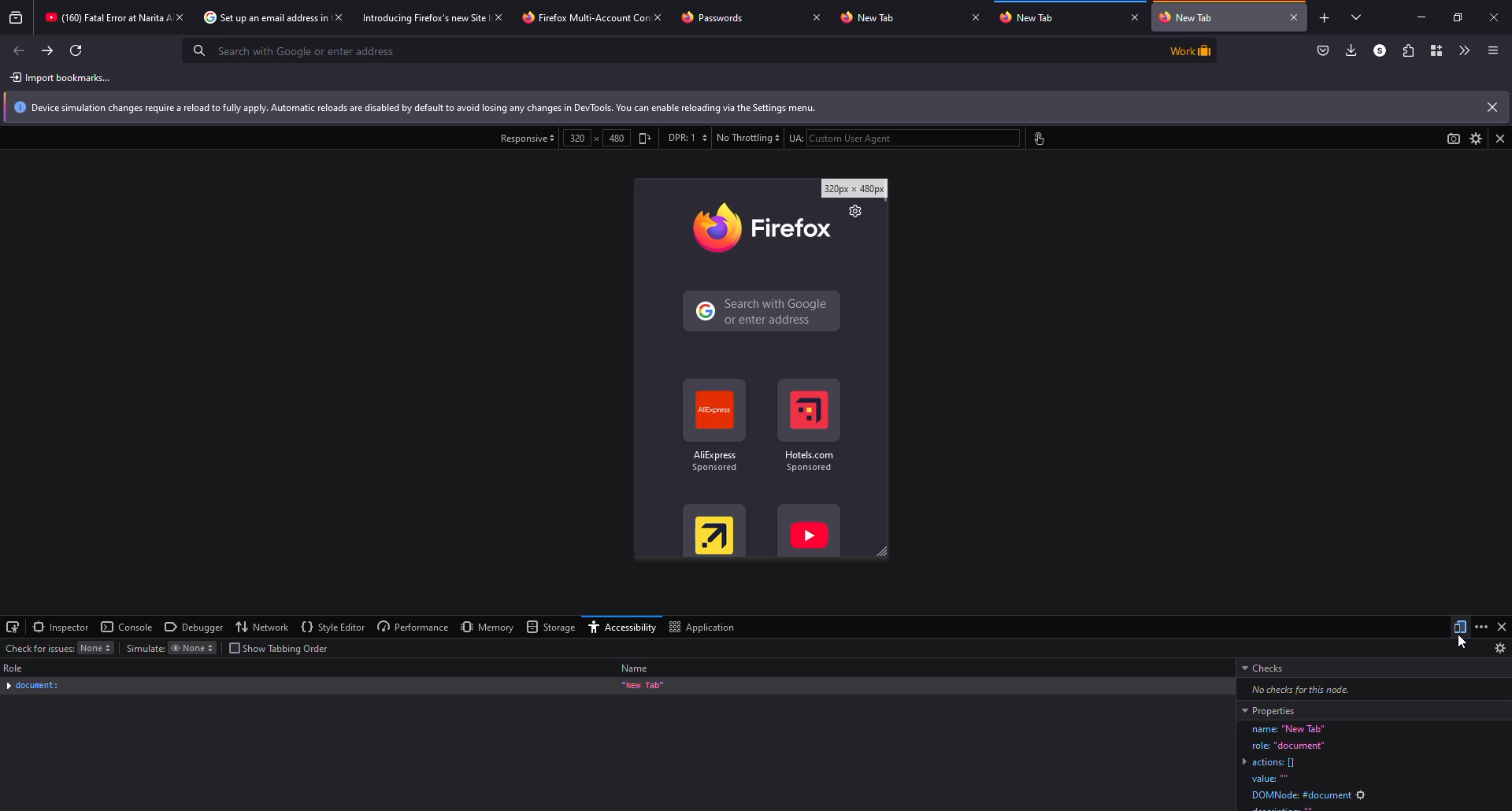 This screenshot has width=1512, height=811. I want to click on memory, so click(487, 628).